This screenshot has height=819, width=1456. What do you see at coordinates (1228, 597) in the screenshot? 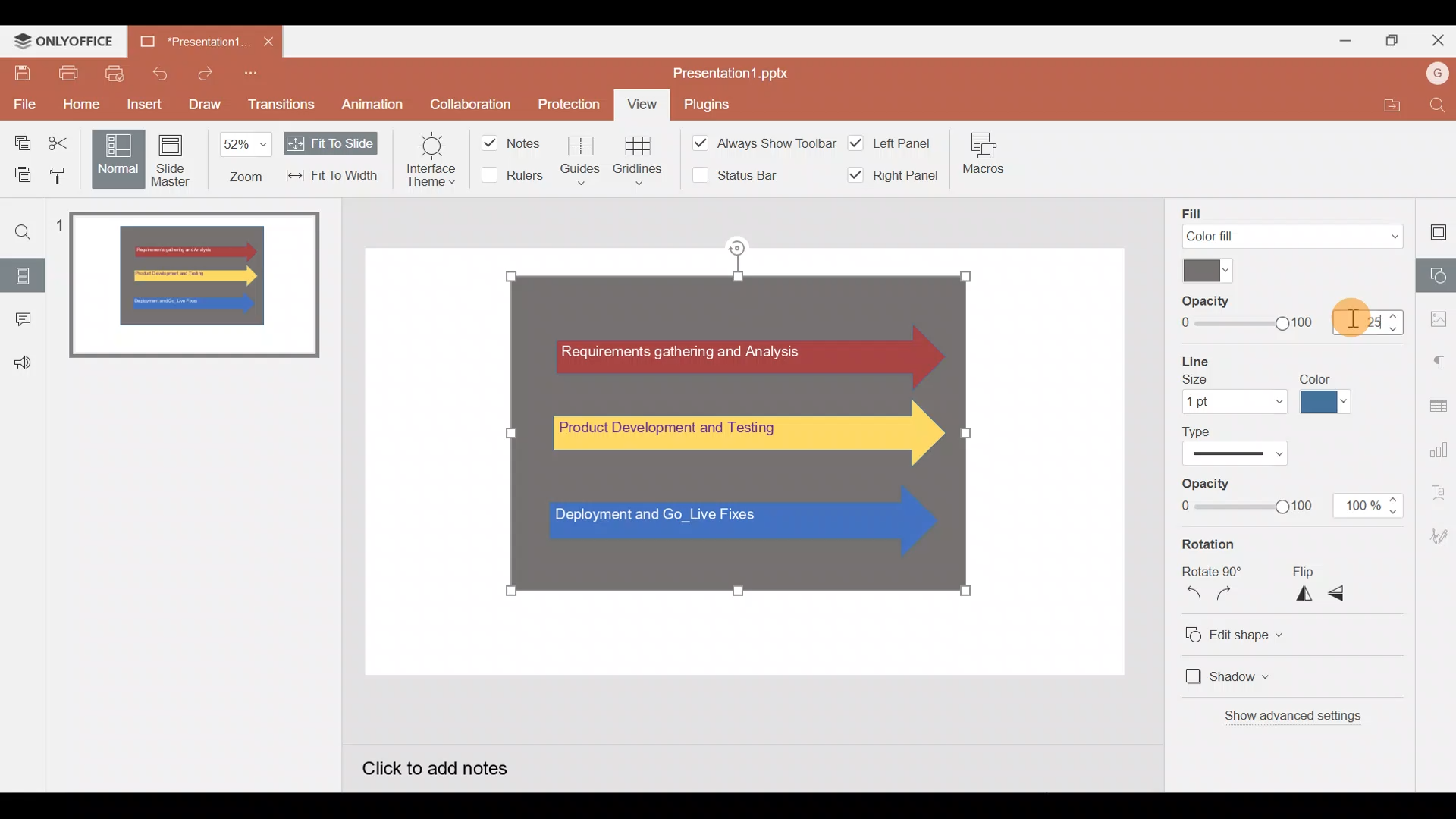
I see `Rotate clockwise` at bounding box center [1228, 597].